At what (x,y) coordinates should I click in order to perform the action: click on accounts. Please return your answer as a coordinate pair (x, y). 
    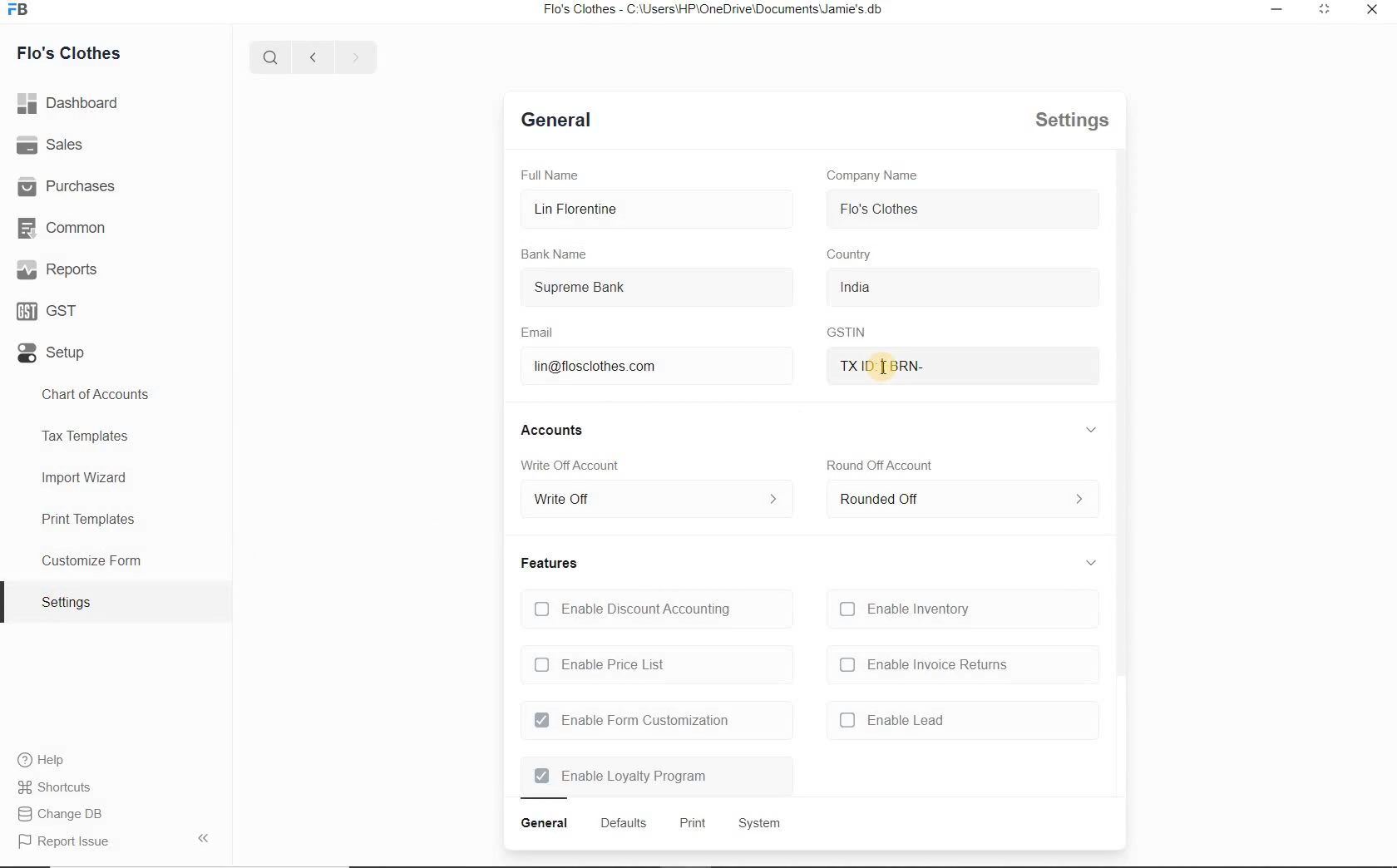
    Looking at the image, I should click on (558, 430).